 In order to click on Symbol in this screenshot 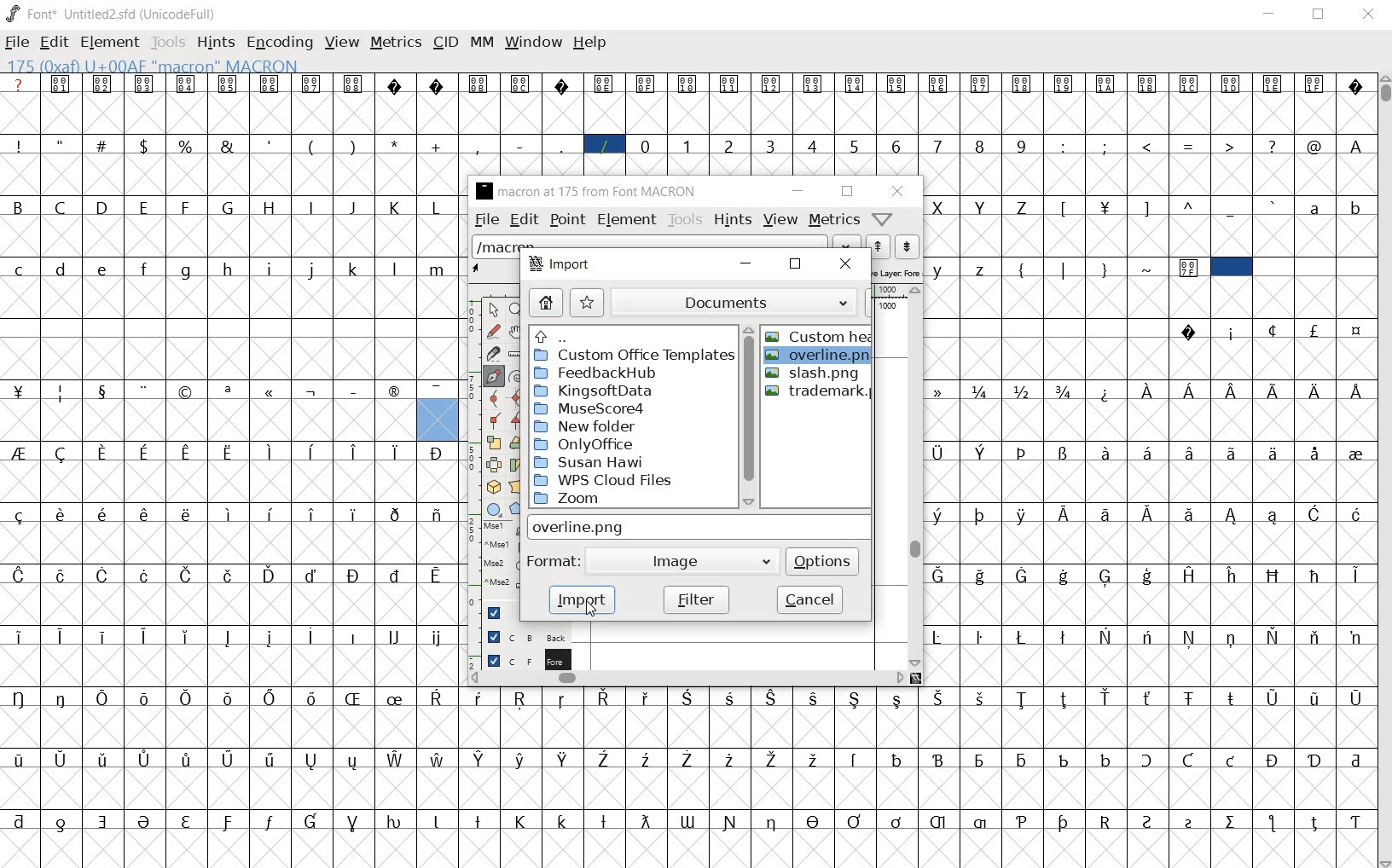, I will do `click(858, 84)`.